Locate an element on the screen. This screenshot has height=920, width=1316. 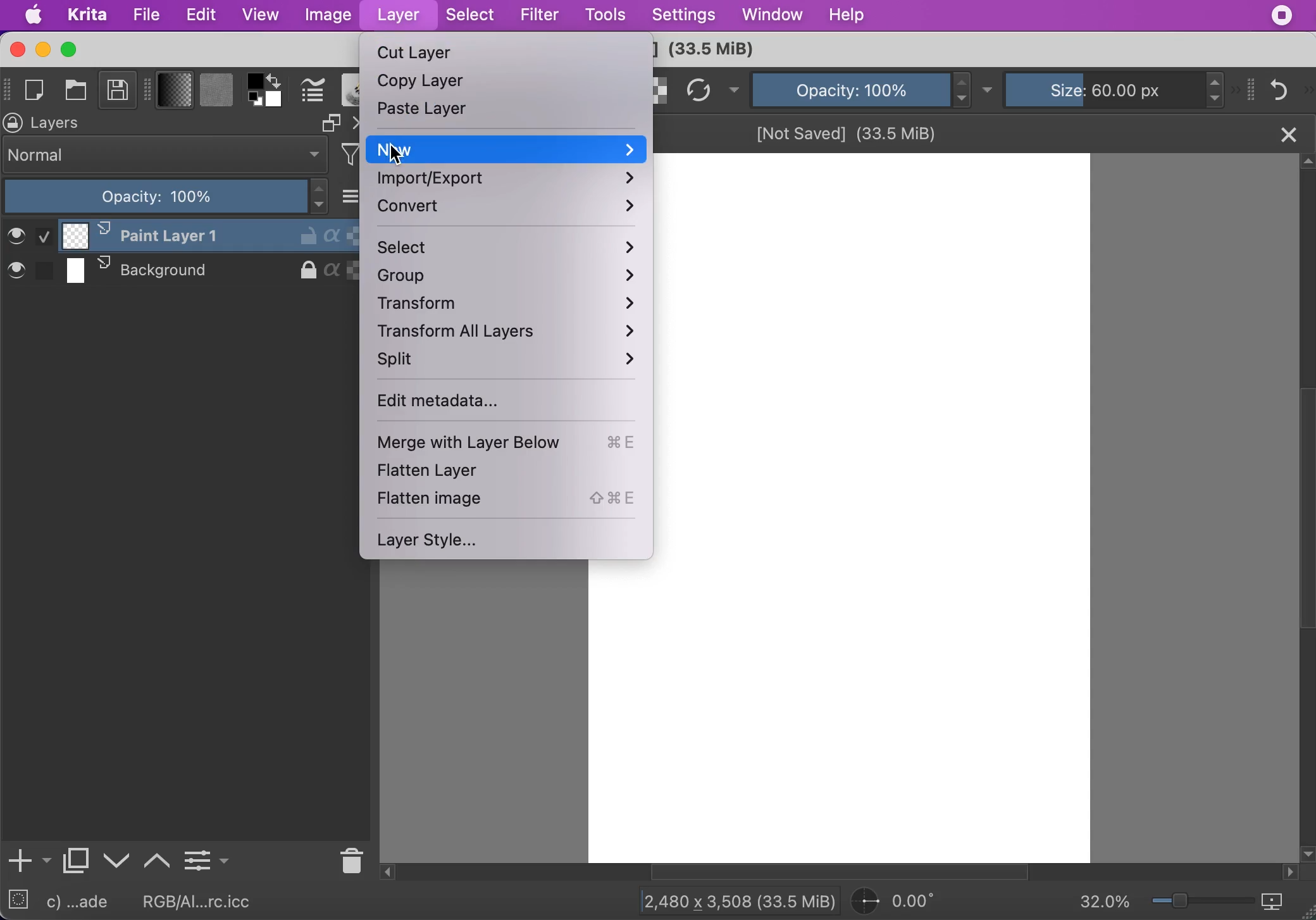
blending mode is located at coordinates (166, 155).